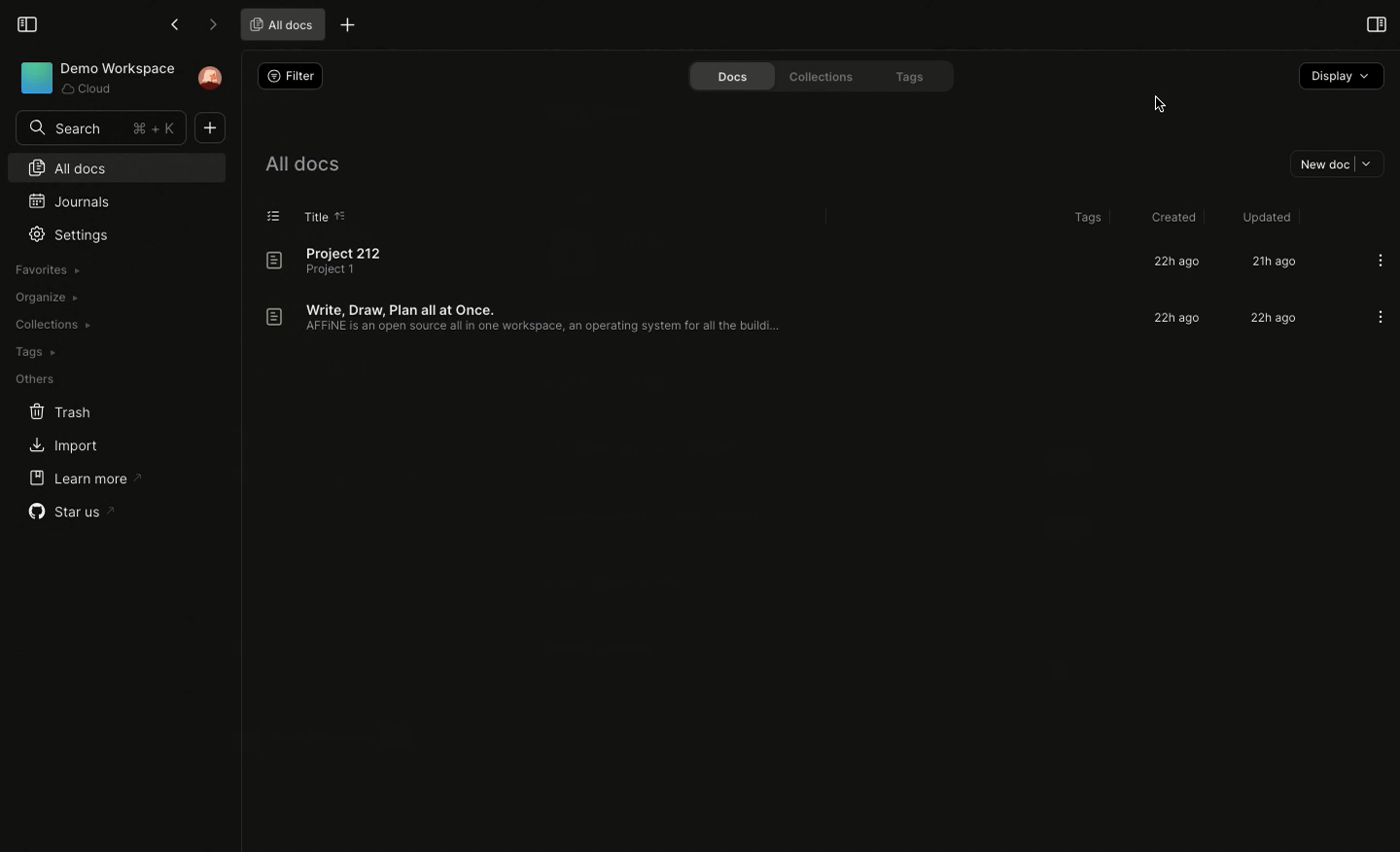 The width and height of the screenshot is (1400, 852). Describe the element at coordinates (101, 127) in the screenshot. I see `Search` at that location.